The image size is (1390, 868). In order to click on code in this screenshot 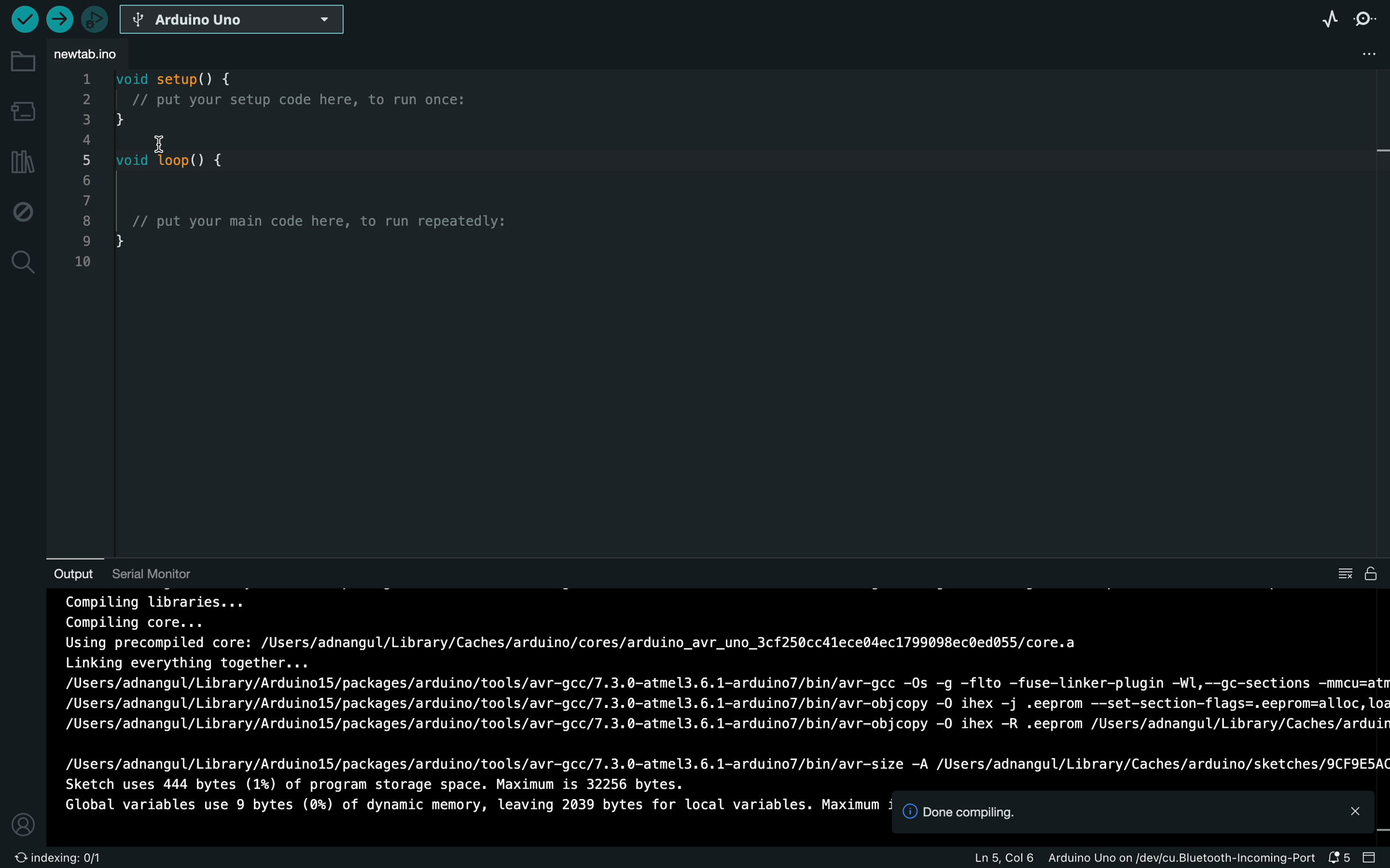, I will do `click(311, 201)`.